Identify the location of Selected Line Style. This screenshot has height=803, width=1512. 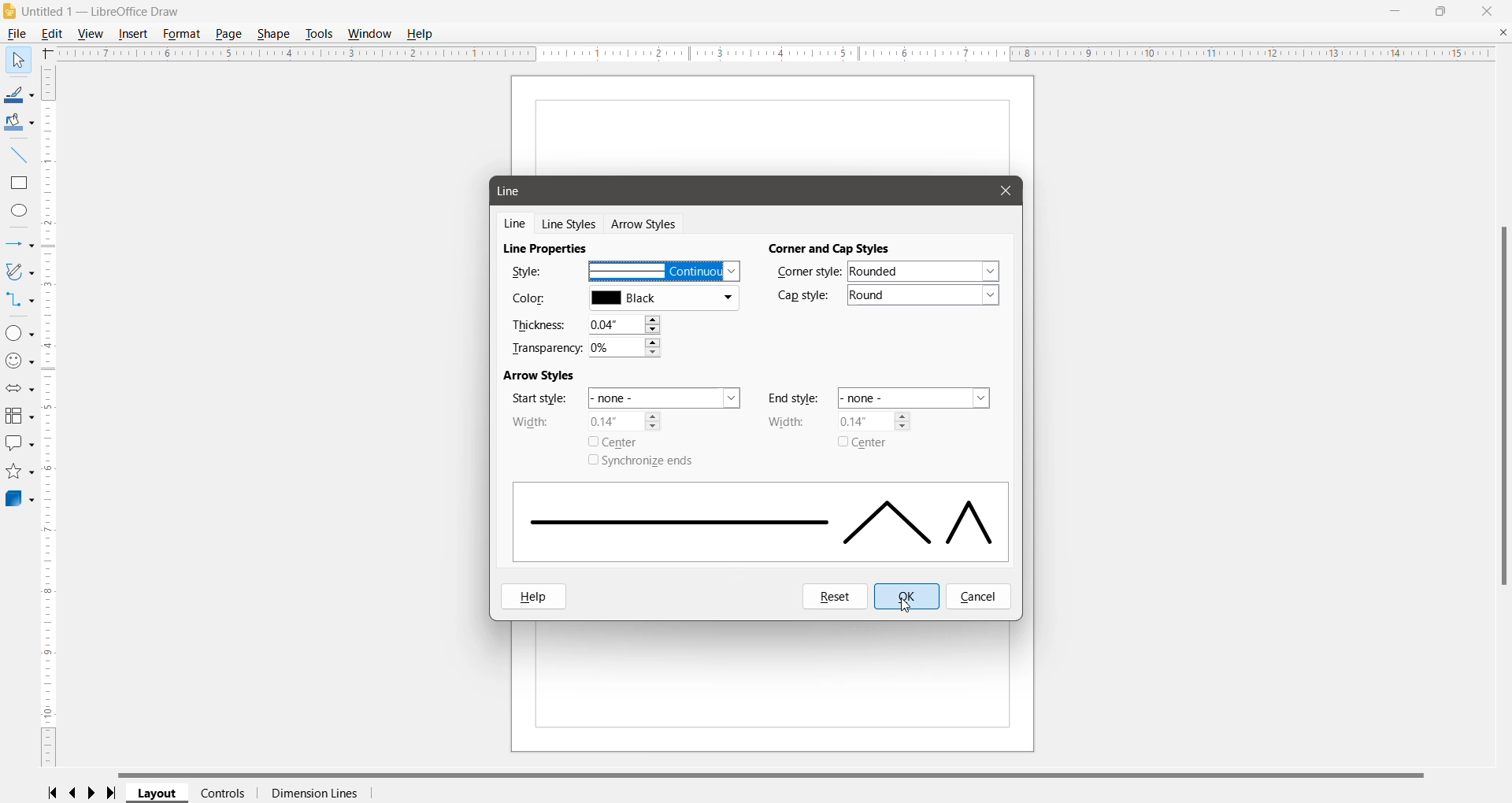
(665, 272).